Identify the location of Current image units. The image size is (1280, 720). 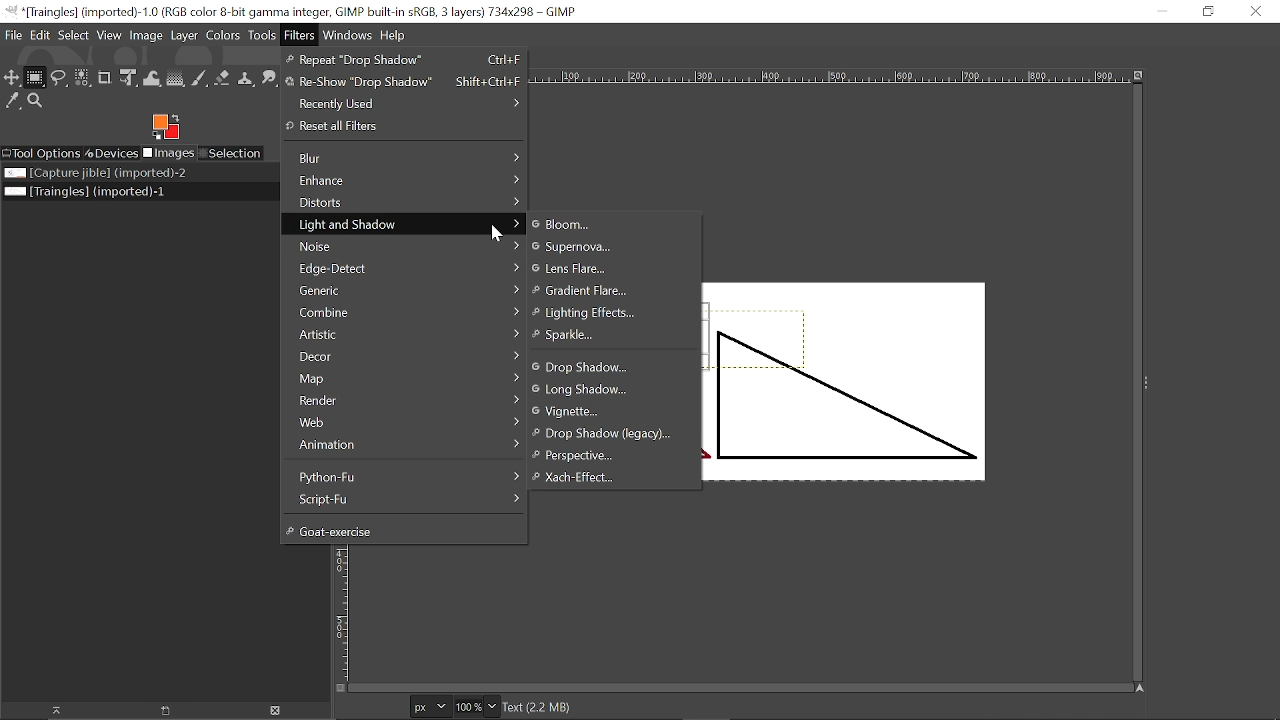
(425, 705).